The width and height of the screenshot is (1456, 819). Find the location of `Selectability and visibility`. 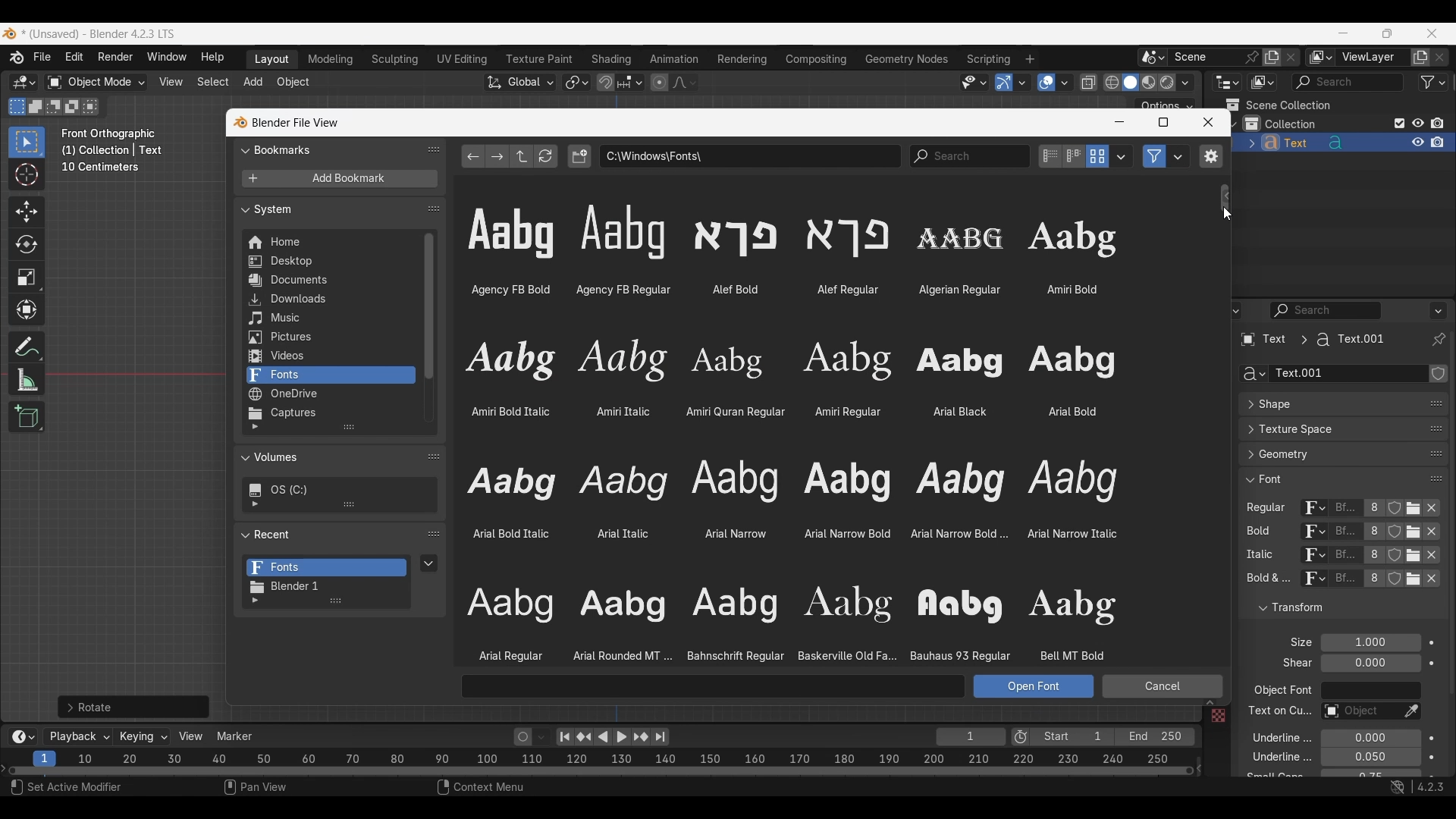

Selectability and visibility is located at coordinates (974, 83).